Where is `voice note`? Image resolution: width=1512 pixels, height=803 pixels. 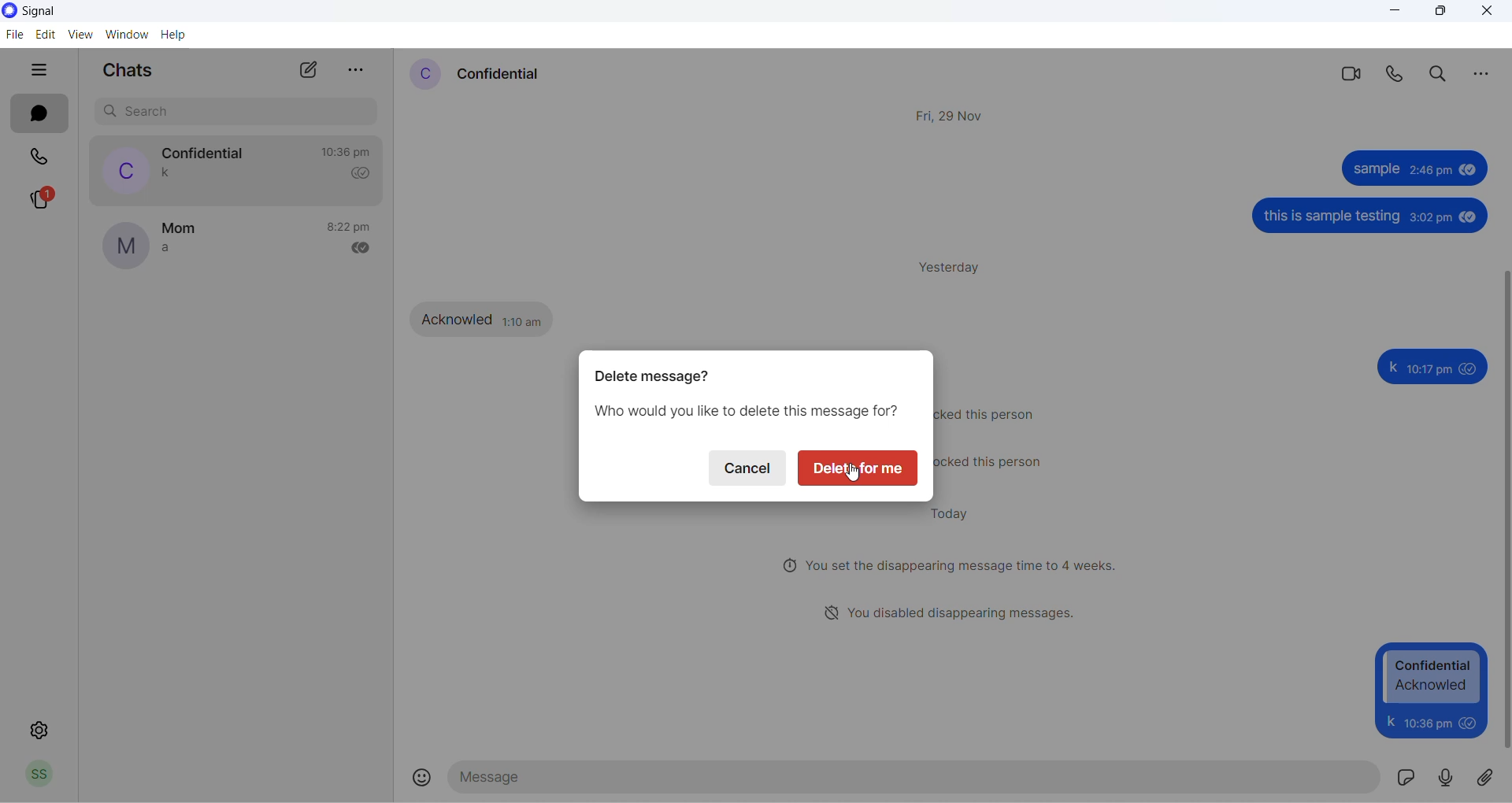
voice note is located at coordinates (1445, 778).